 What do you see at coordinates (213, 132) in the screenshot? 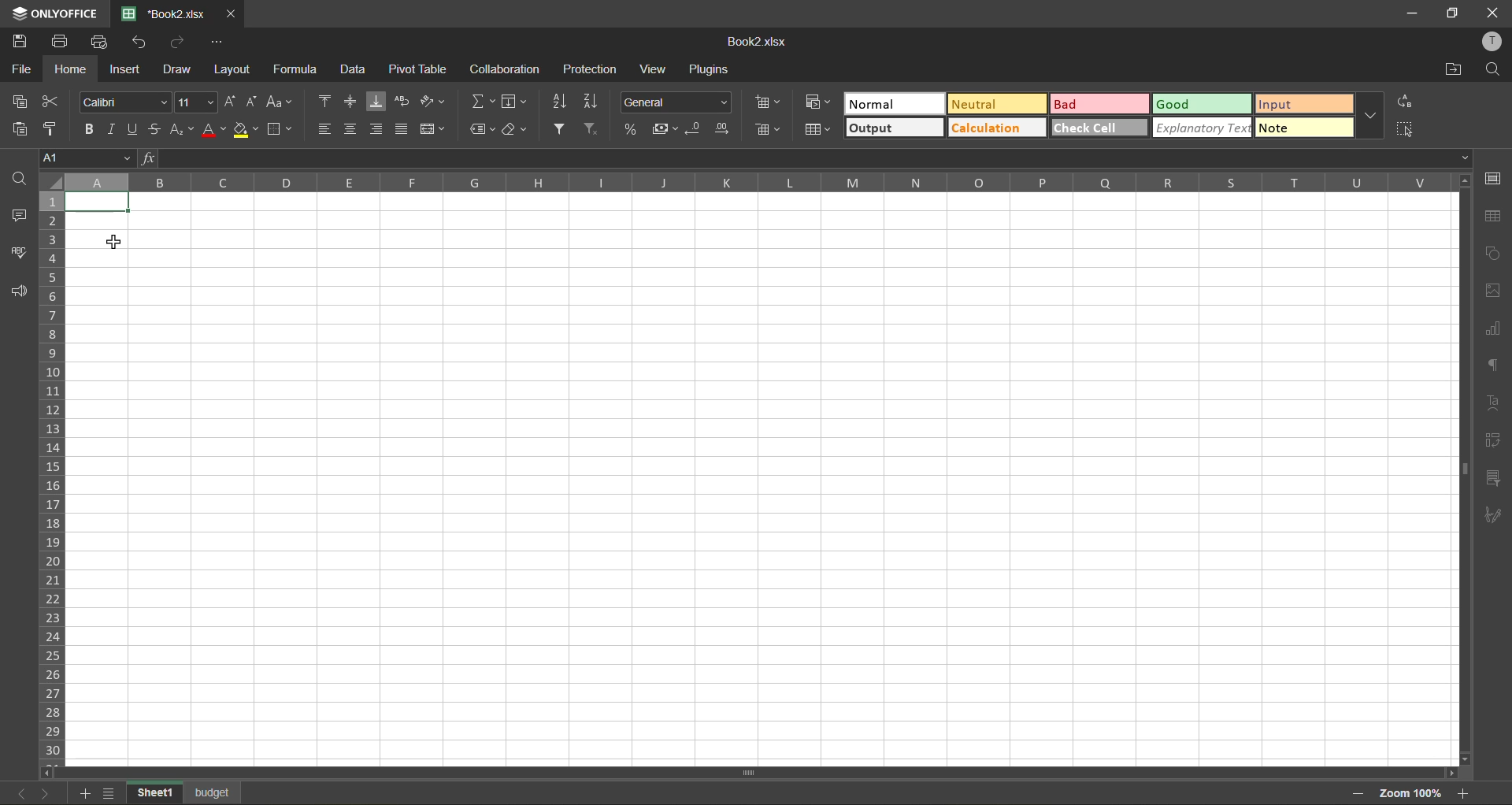
I see `font color` at bounding box center [213, 132].